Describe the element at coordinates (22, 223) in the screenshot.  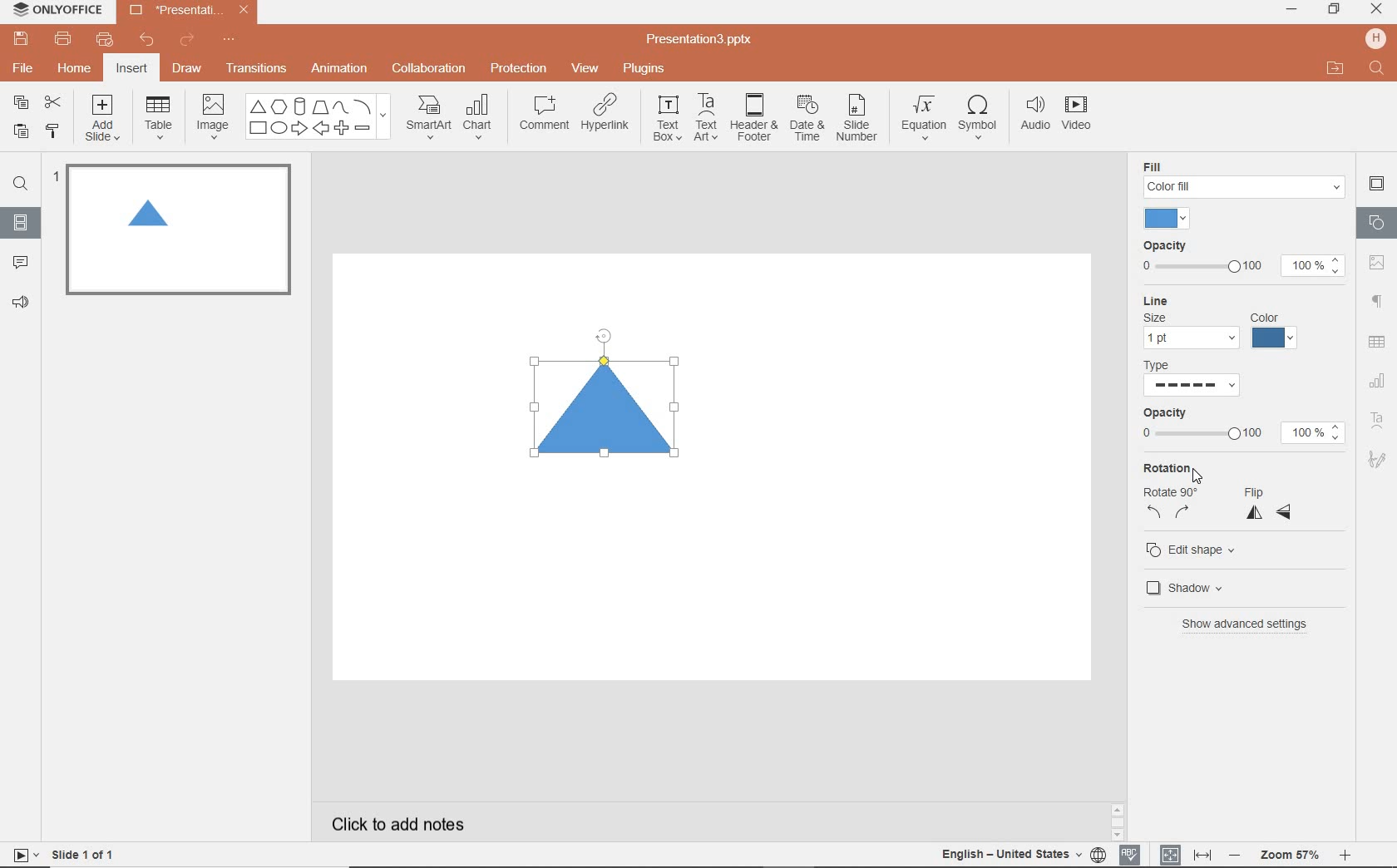
I see `SLIDES` at that location.